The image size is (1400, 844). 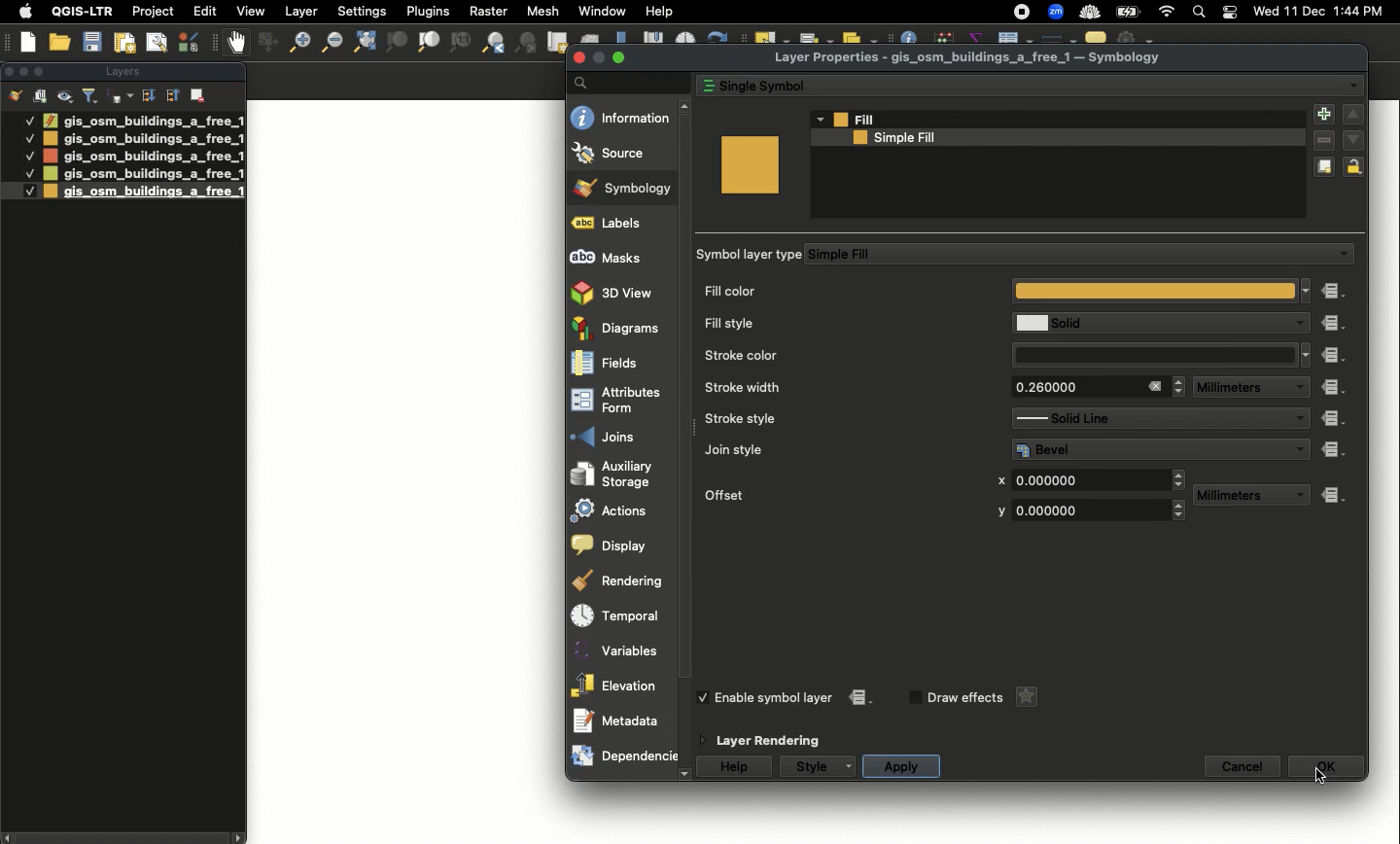 What do you see at coordinates (819, 119) in the screenshot?
I see `Drop down` at bounding box center [819, 119].